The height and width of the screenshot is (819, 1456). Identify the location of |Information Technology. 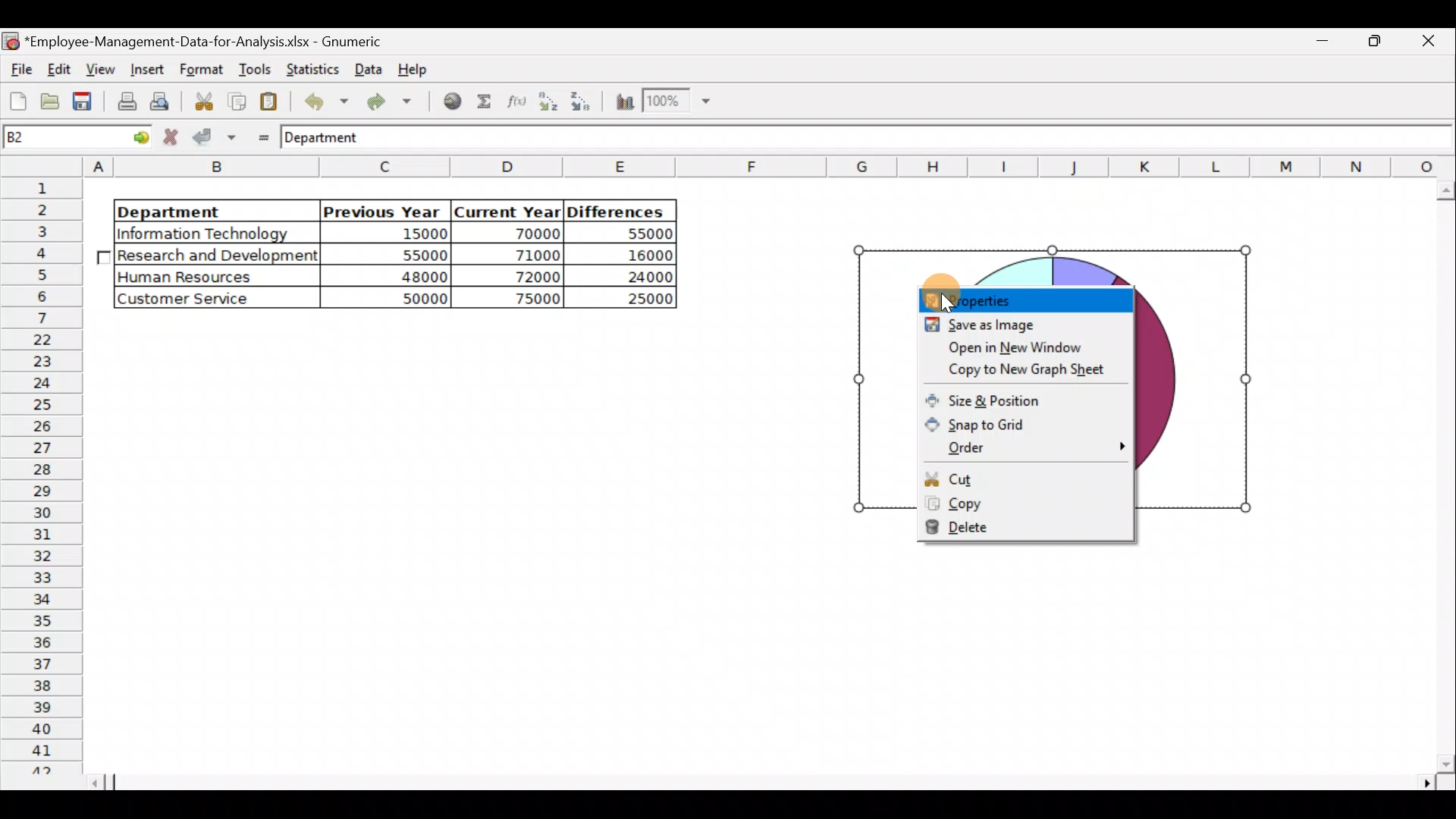
(215, 233).